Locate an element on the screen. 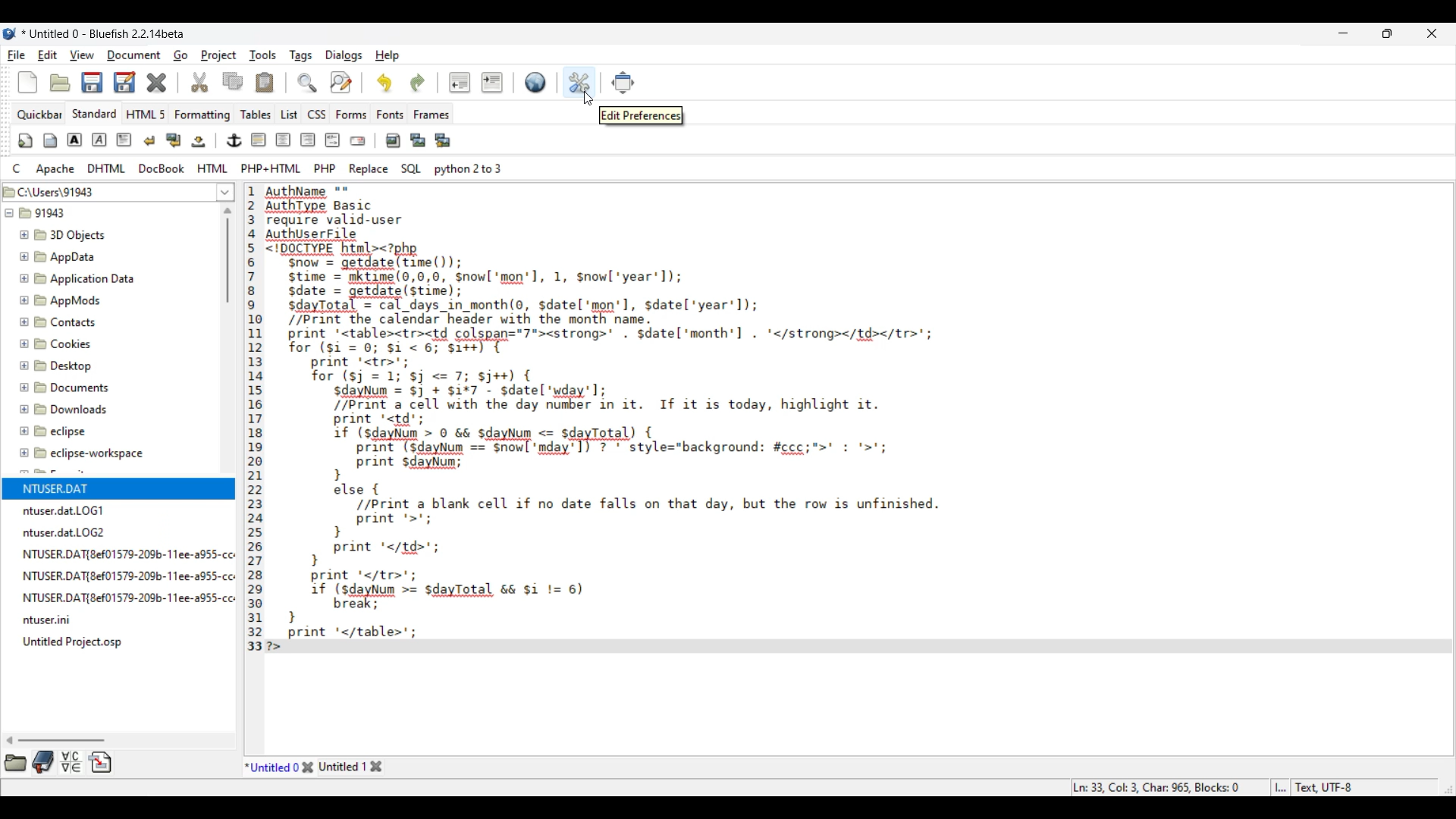 This screenshot has width=1456, height=819. Fonts is located at coordinates (390, 115).